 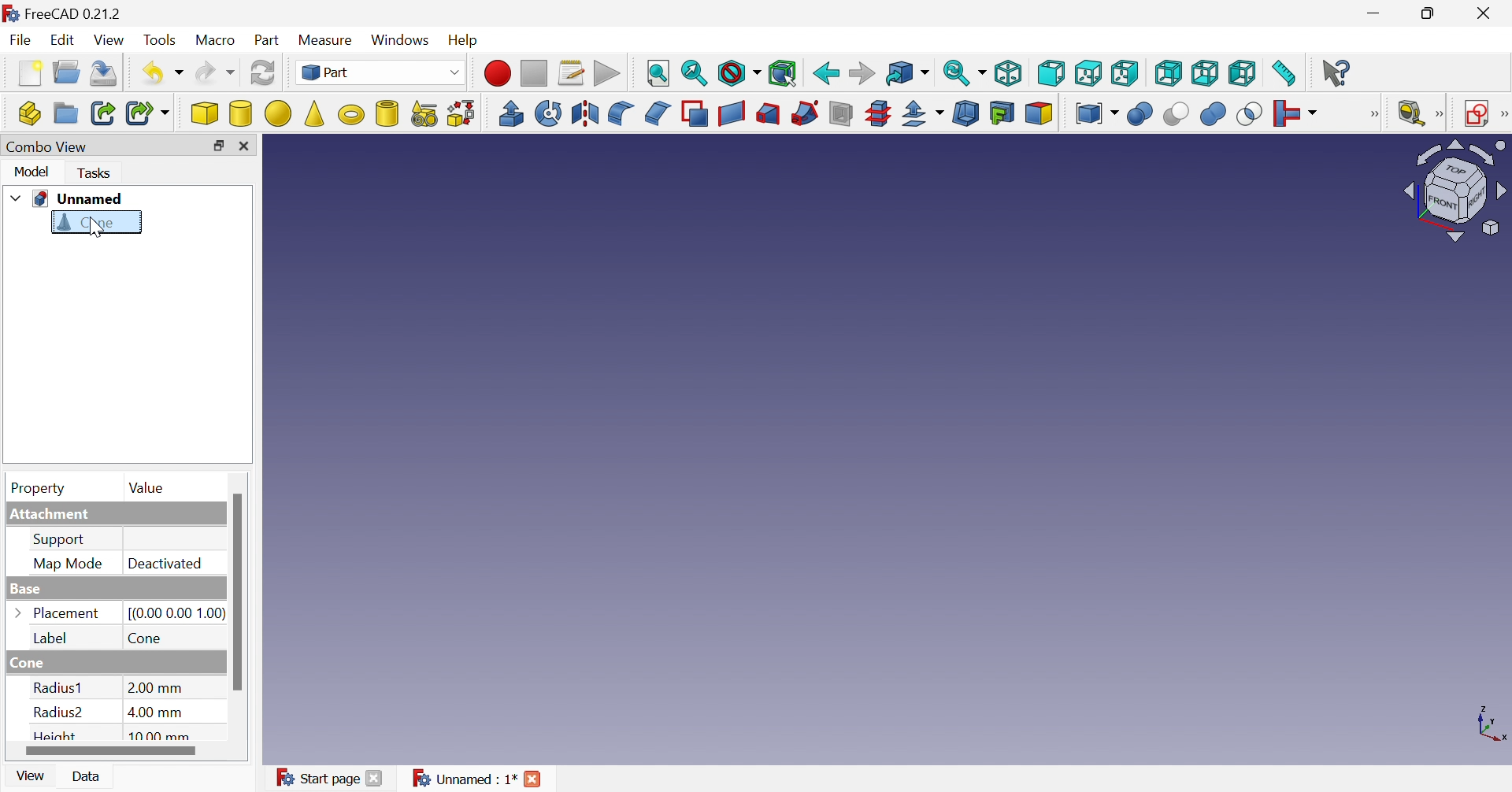 What do you see at coordinates (380, 71) in the screenshot?
I see `Part` at bounding box center [380, 71].